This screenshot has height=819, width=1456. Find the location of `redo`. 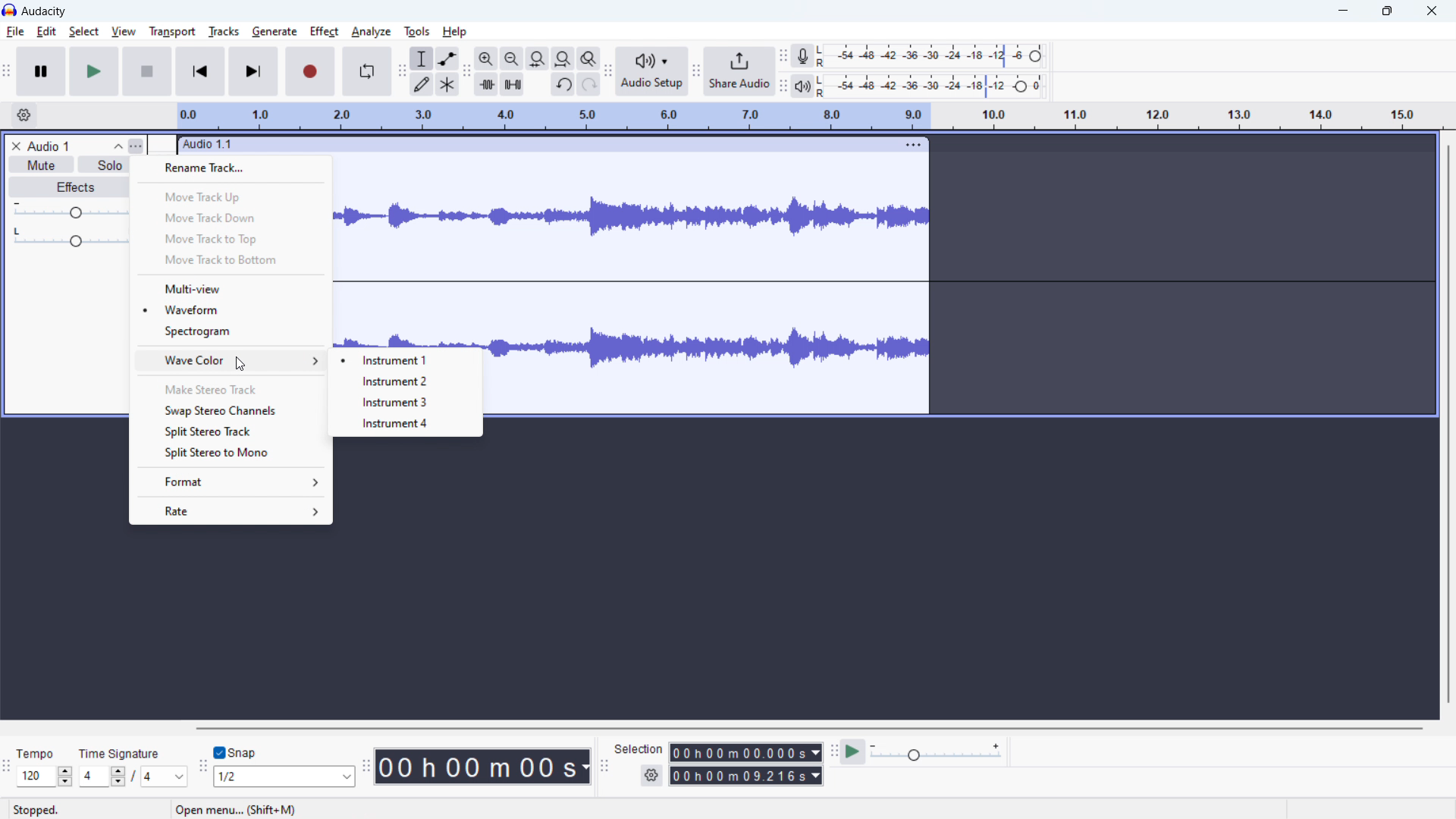

redo is located at coordinates (588, 84).